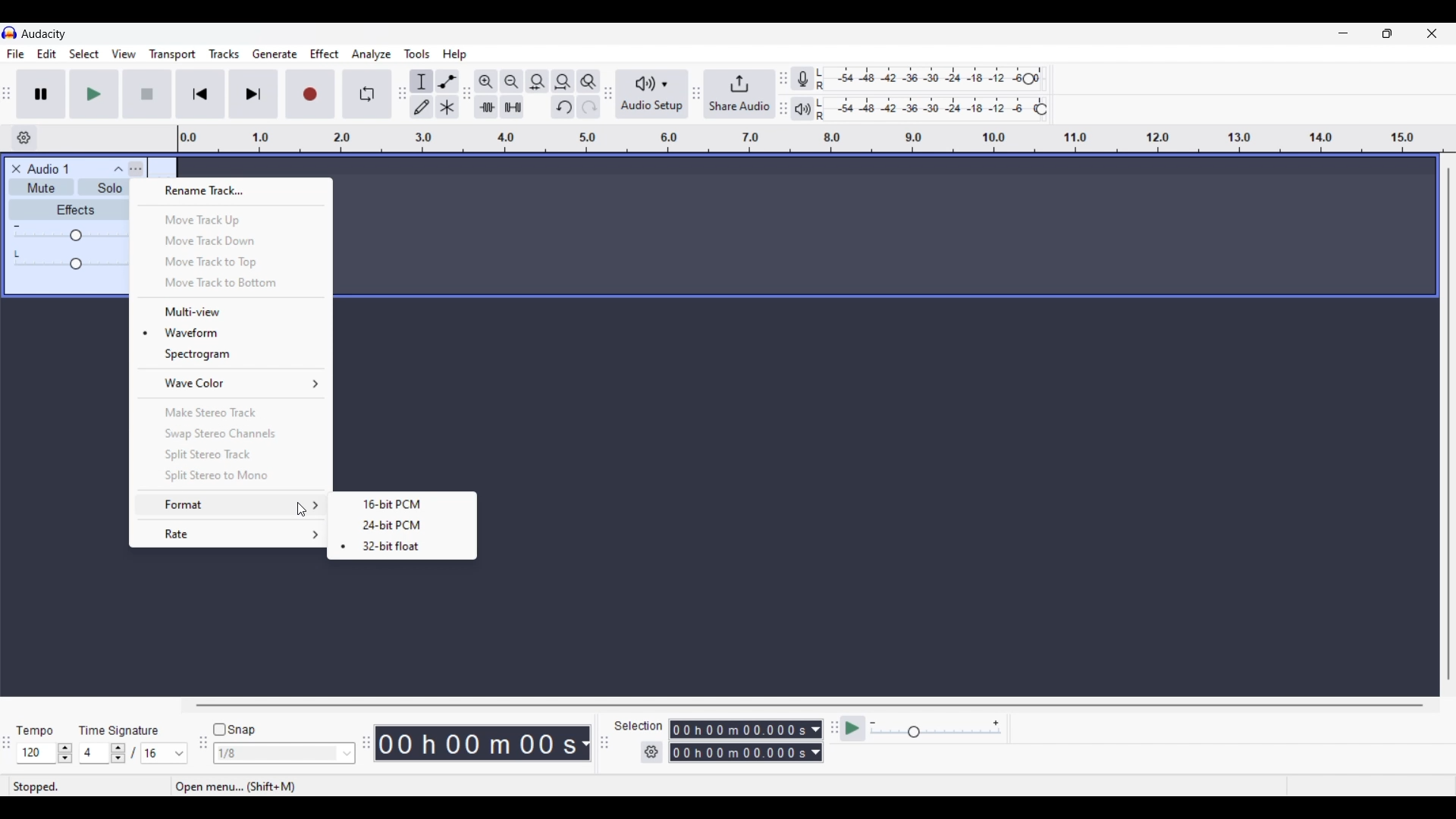  Describe the element at coordinates (15, 54) in the screenshot. I see `File menu` at that location.